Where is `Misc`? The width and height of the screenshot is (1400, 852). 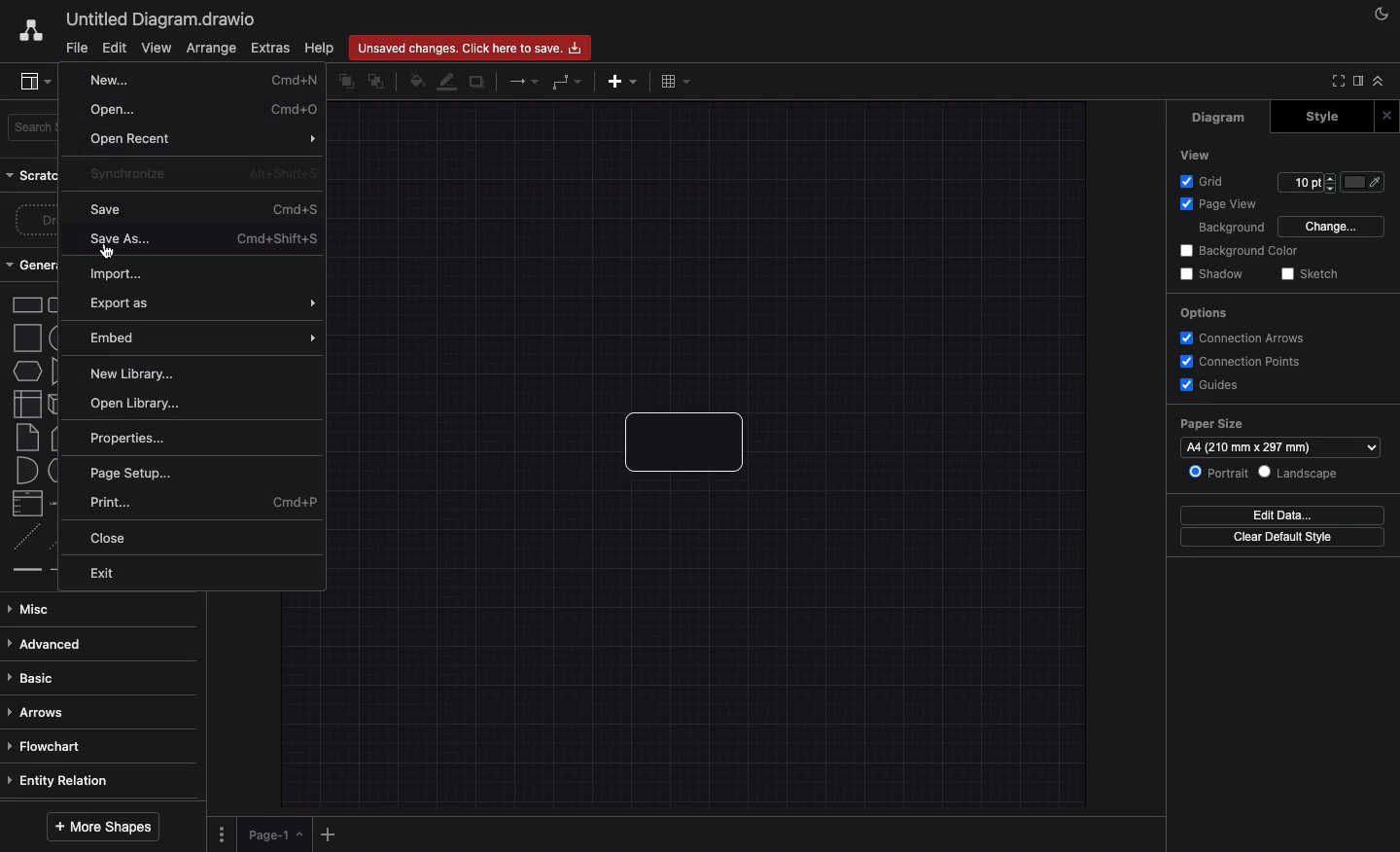
Misc is located at coordinates (40, 609).